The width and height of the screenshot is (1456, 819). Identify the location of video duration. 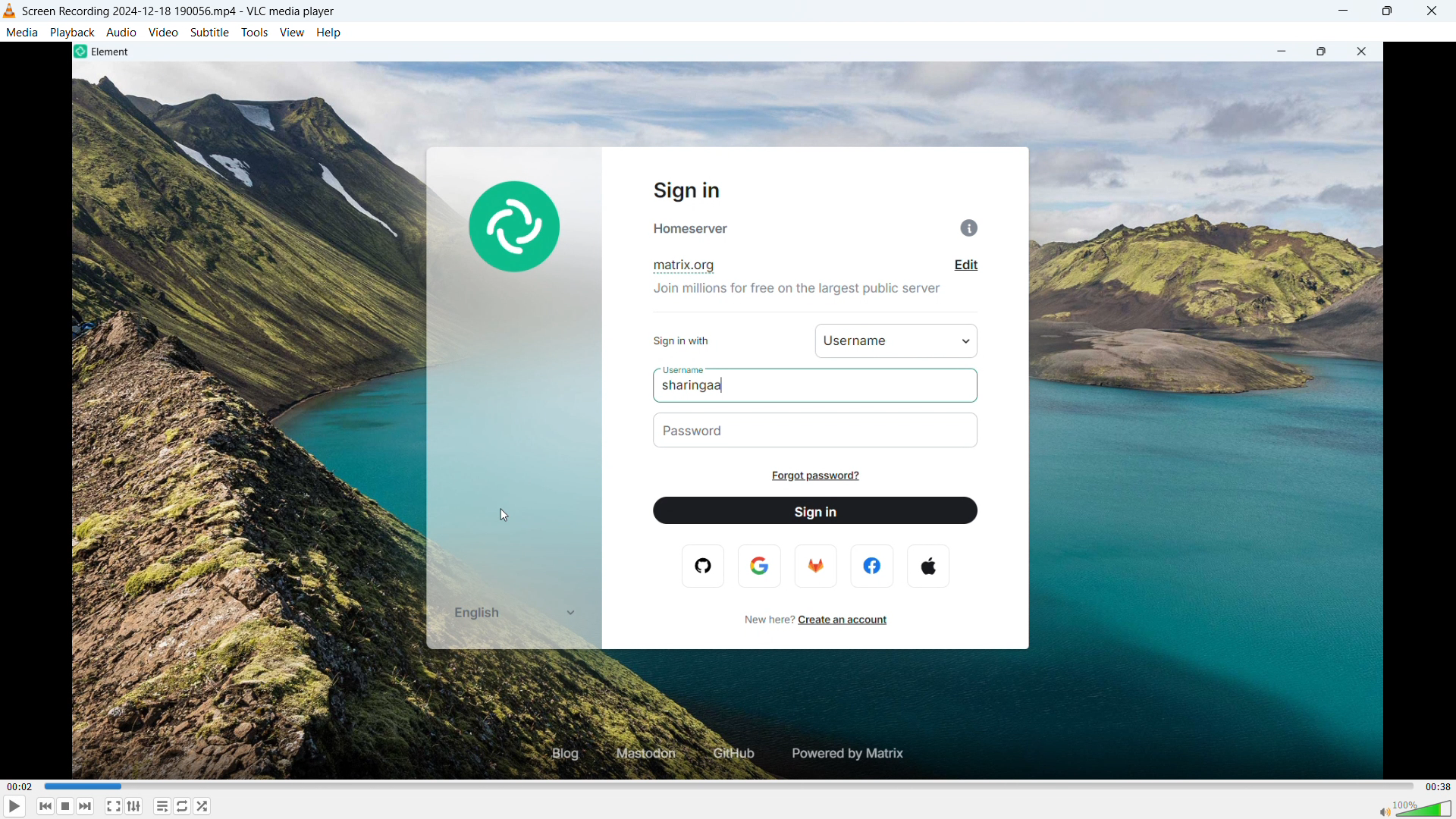
(1439, 787).